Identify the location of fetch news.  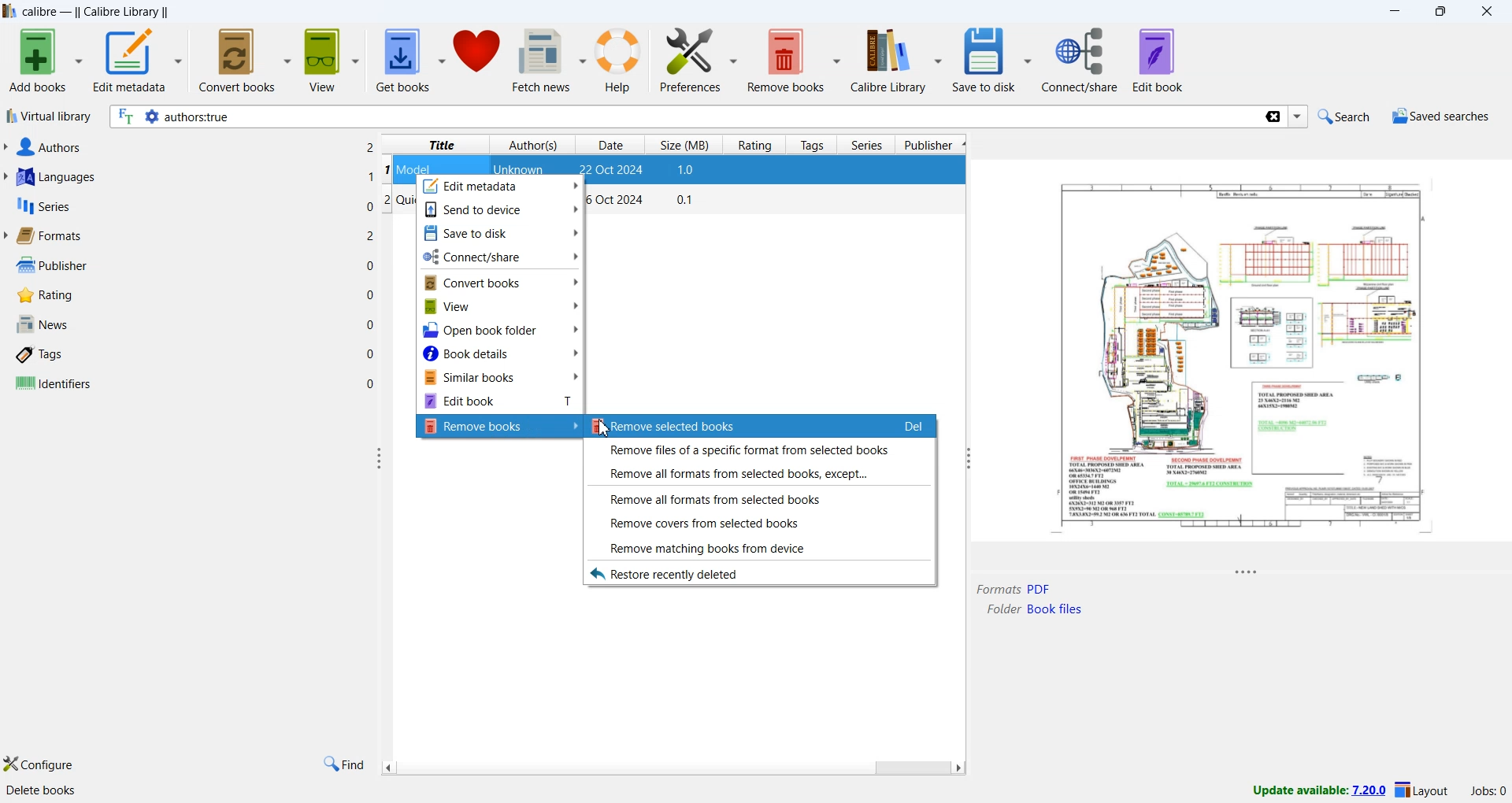
(551, 63).